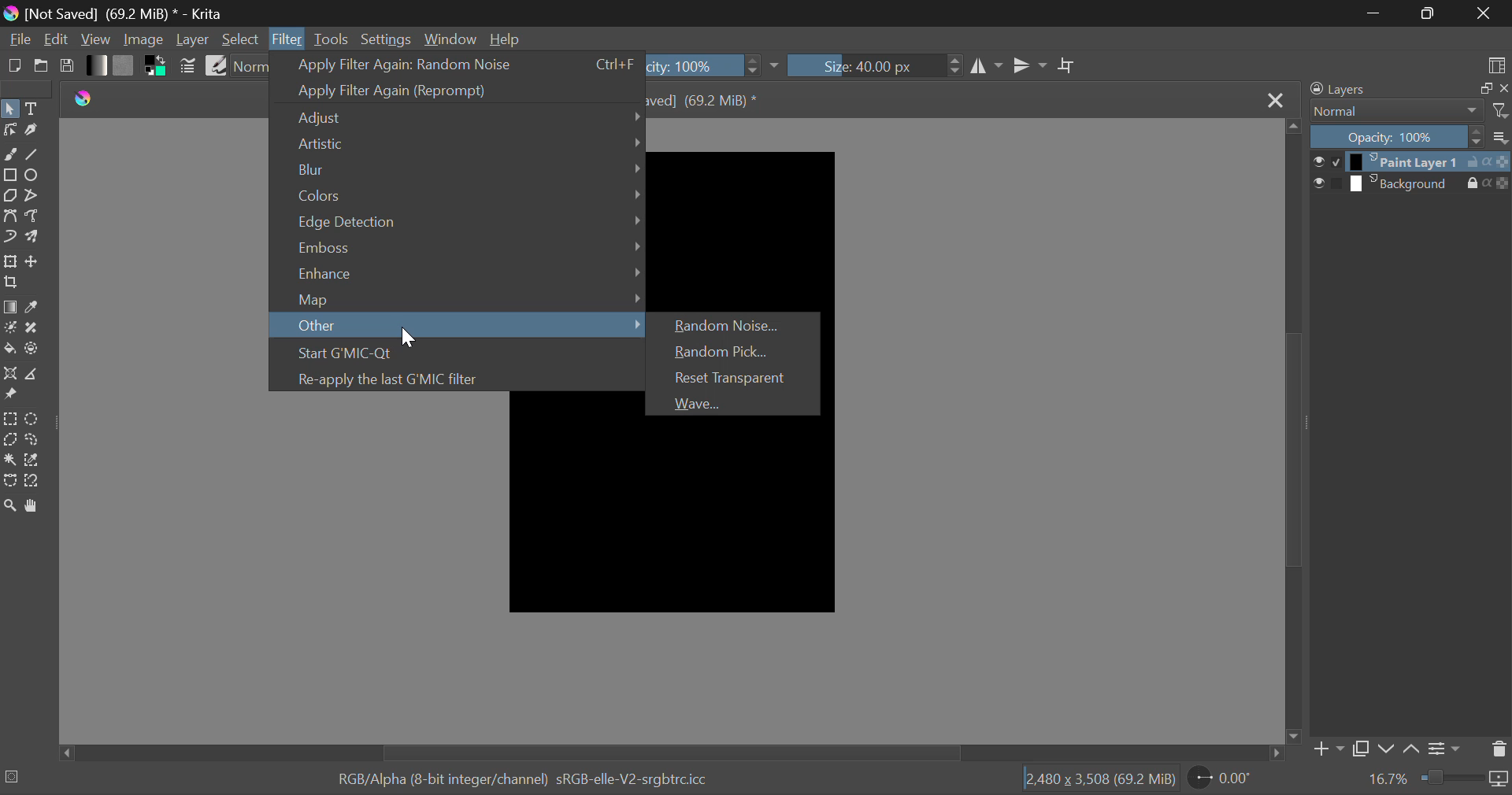 This screenshot has height=795, width=1512. Describe the element at coordinates (10, 261) in the screenshot. I see `Transform Layer` at that location.